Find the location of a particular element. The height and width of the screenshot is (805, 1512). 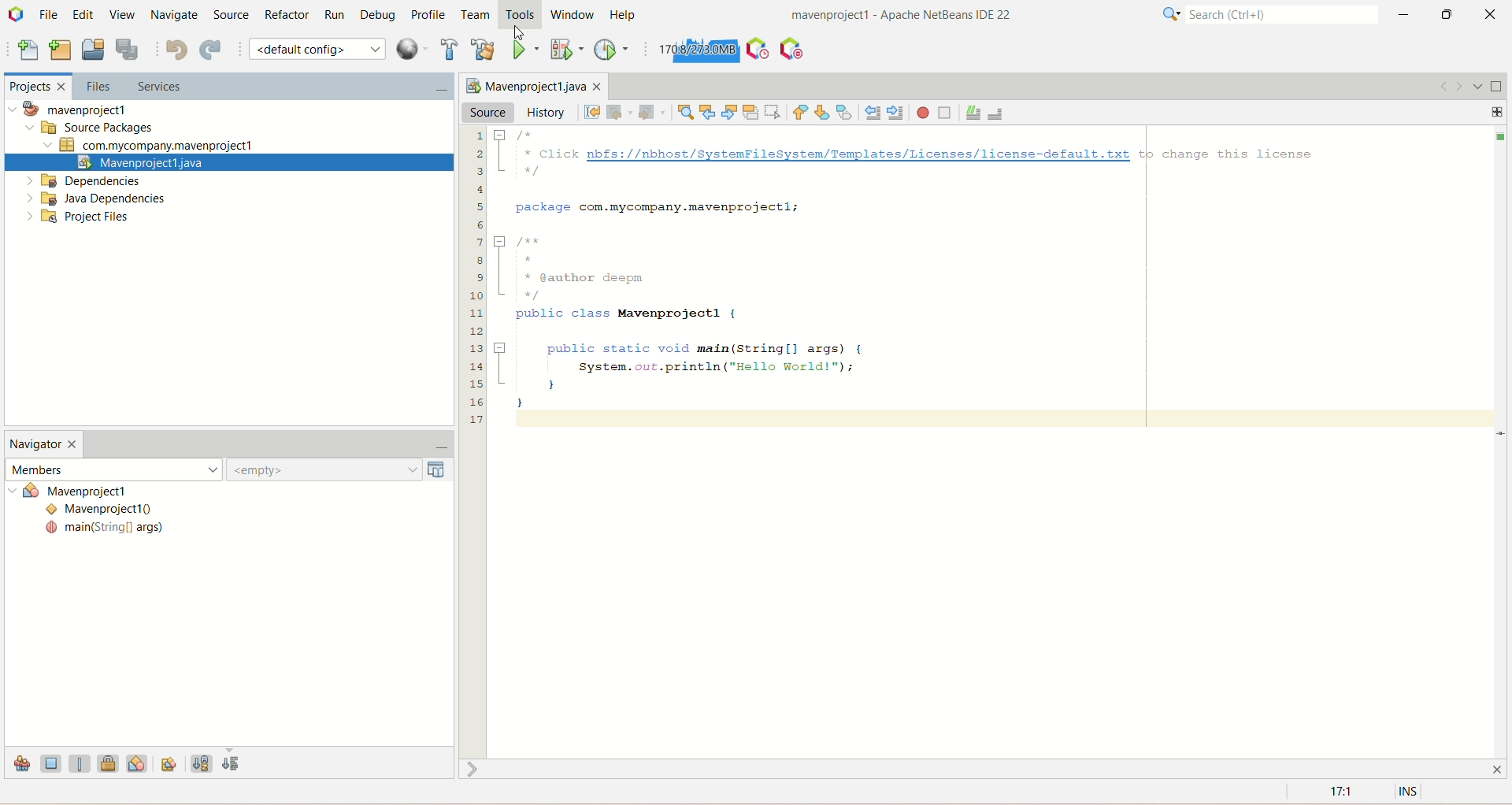

stop macro recording is located at coordinates (945, 113).